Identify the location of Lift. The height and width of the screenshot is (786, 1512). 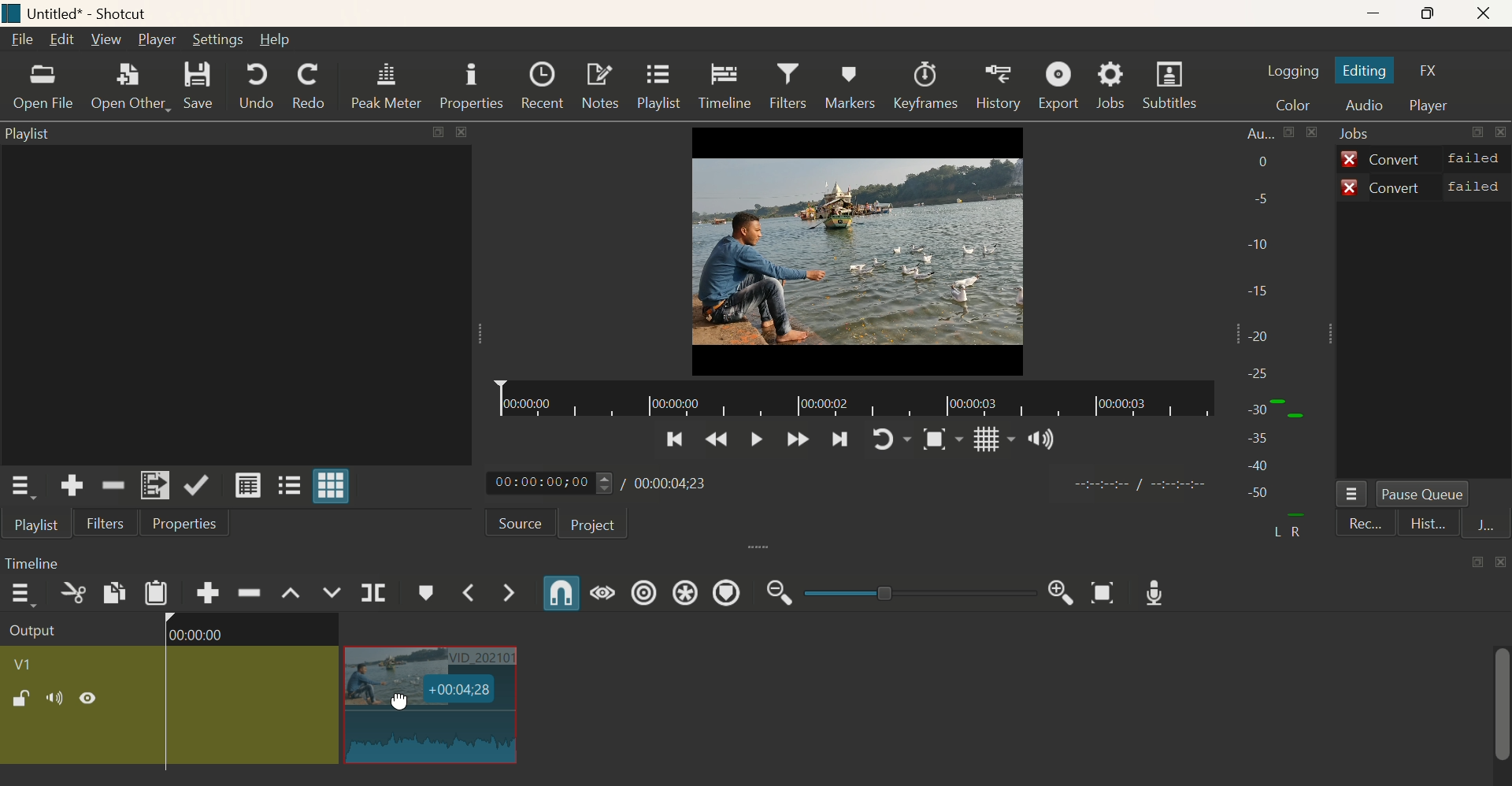
(292, 590).